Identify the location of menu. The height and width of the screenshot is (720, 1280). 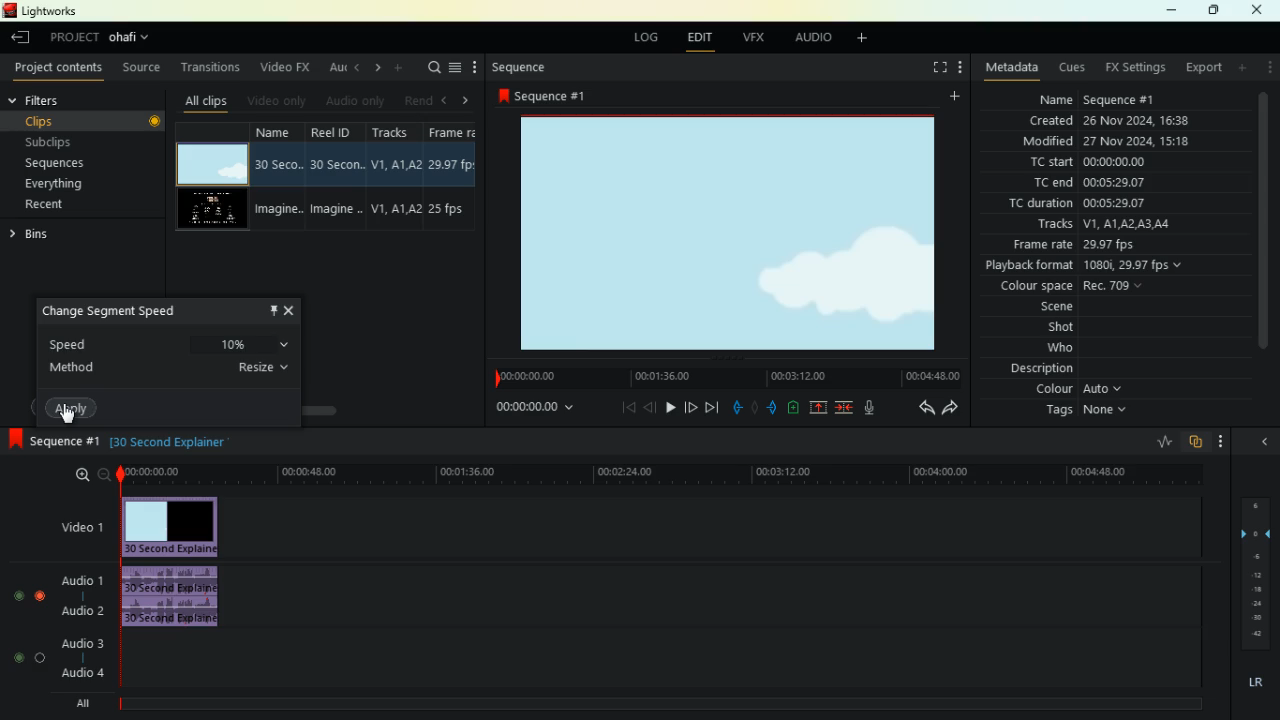
(455, 69).